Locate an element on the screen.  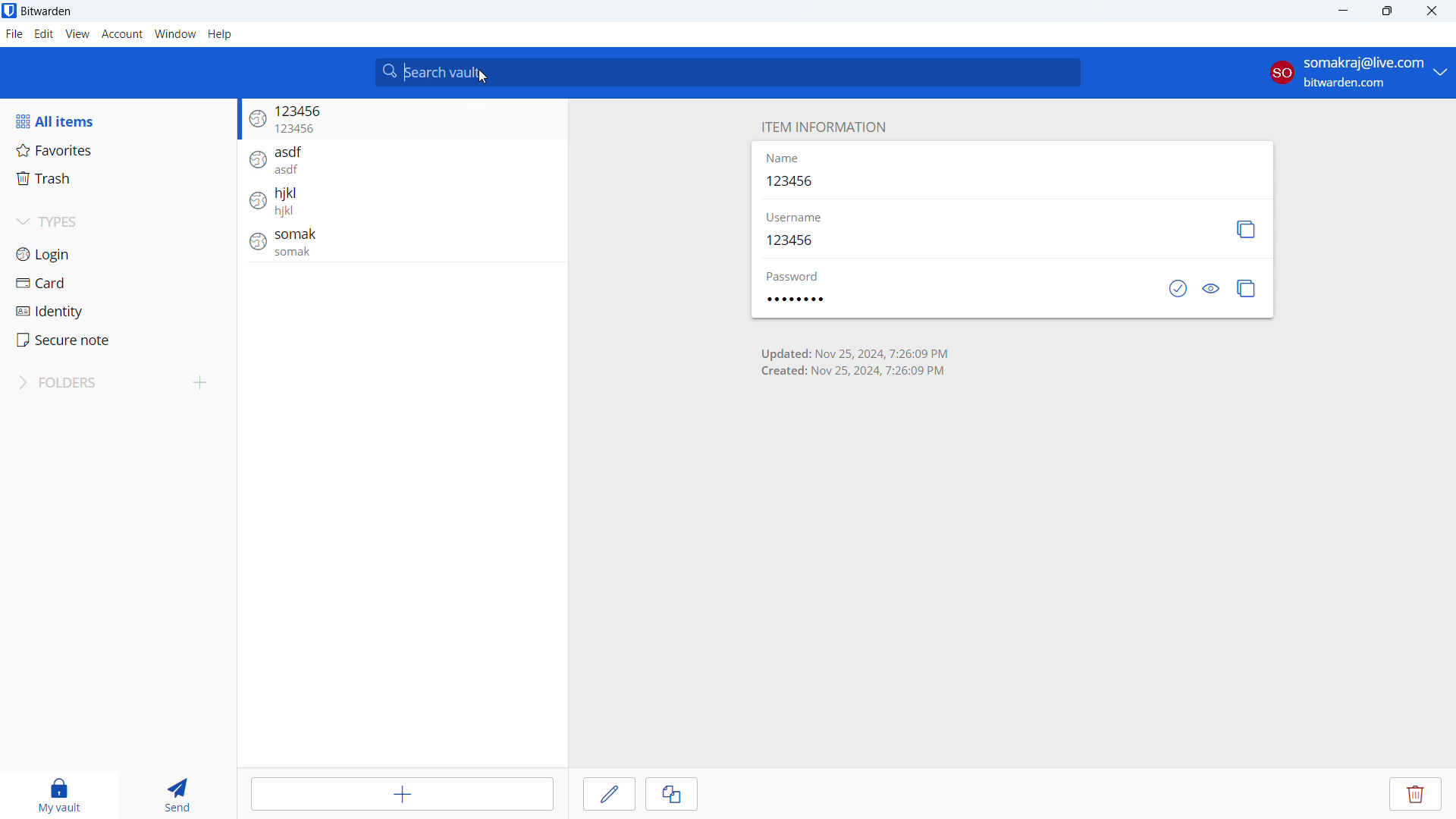
edit is located at coordinates (610, 793).